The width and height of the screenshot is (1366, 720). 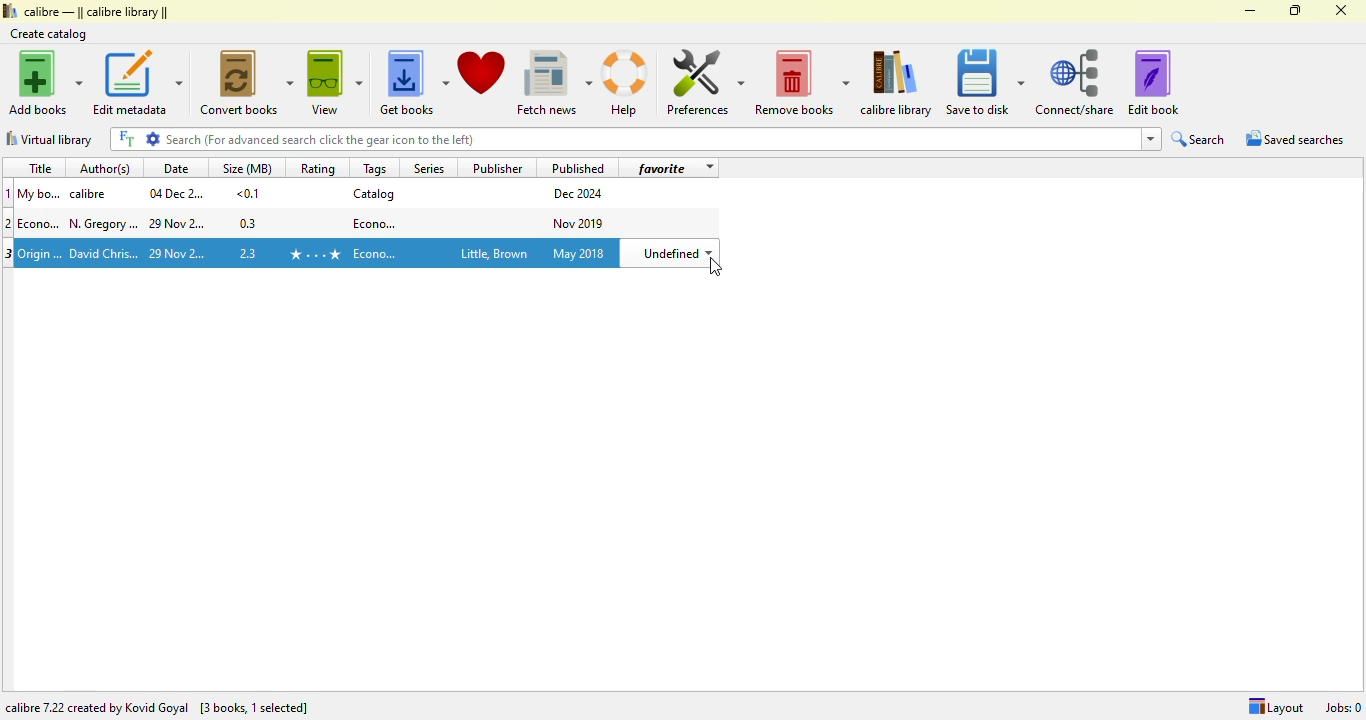 What do you see at coordinates (104, 254) in the screenshot?
I see `Author` at bounding box center [104, 254].